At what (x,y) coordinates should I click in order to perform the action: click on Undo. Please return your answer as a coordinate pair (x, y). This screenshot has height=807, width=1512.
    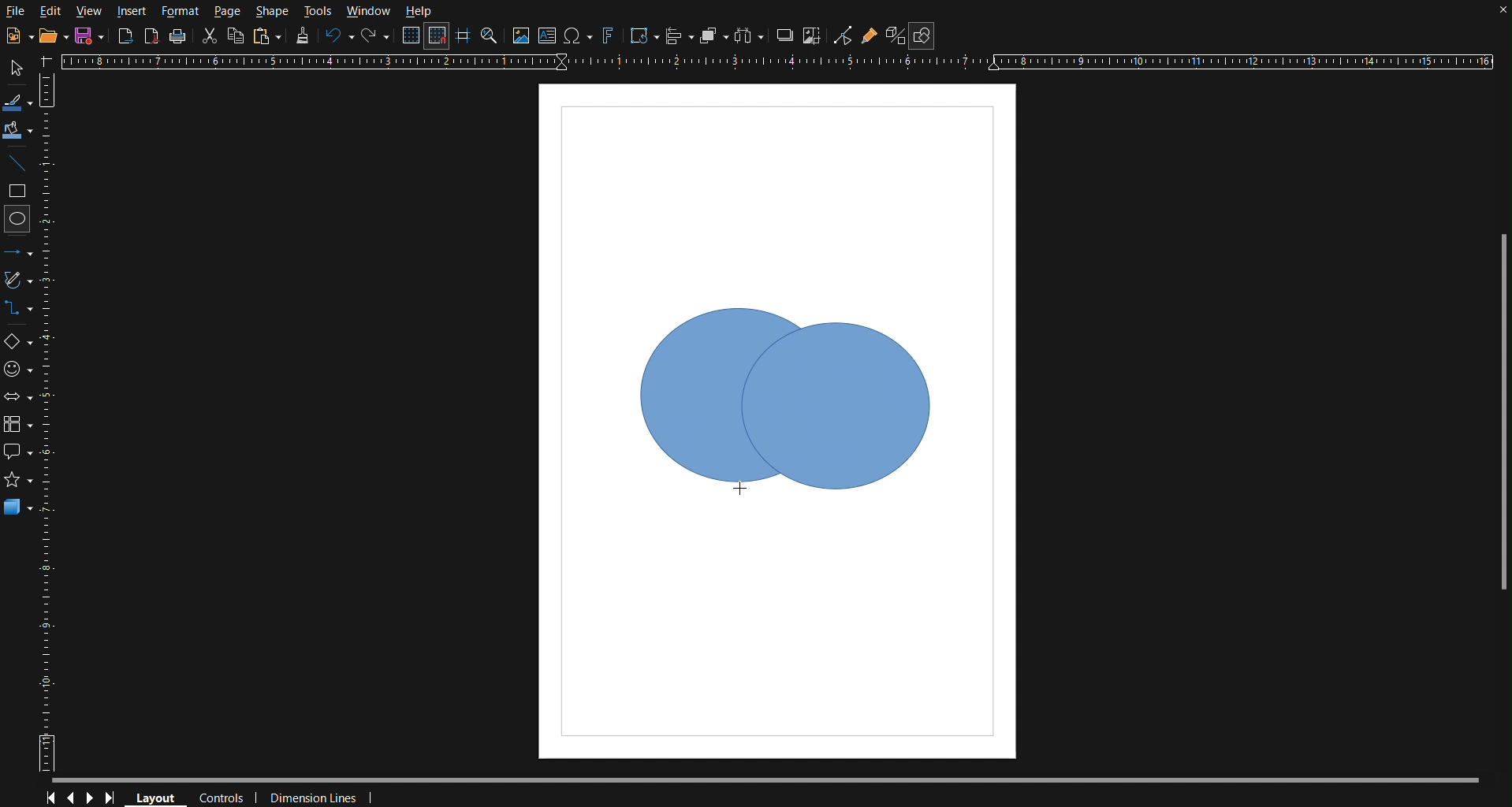
    Looking at the image, I should click on (339, 39).